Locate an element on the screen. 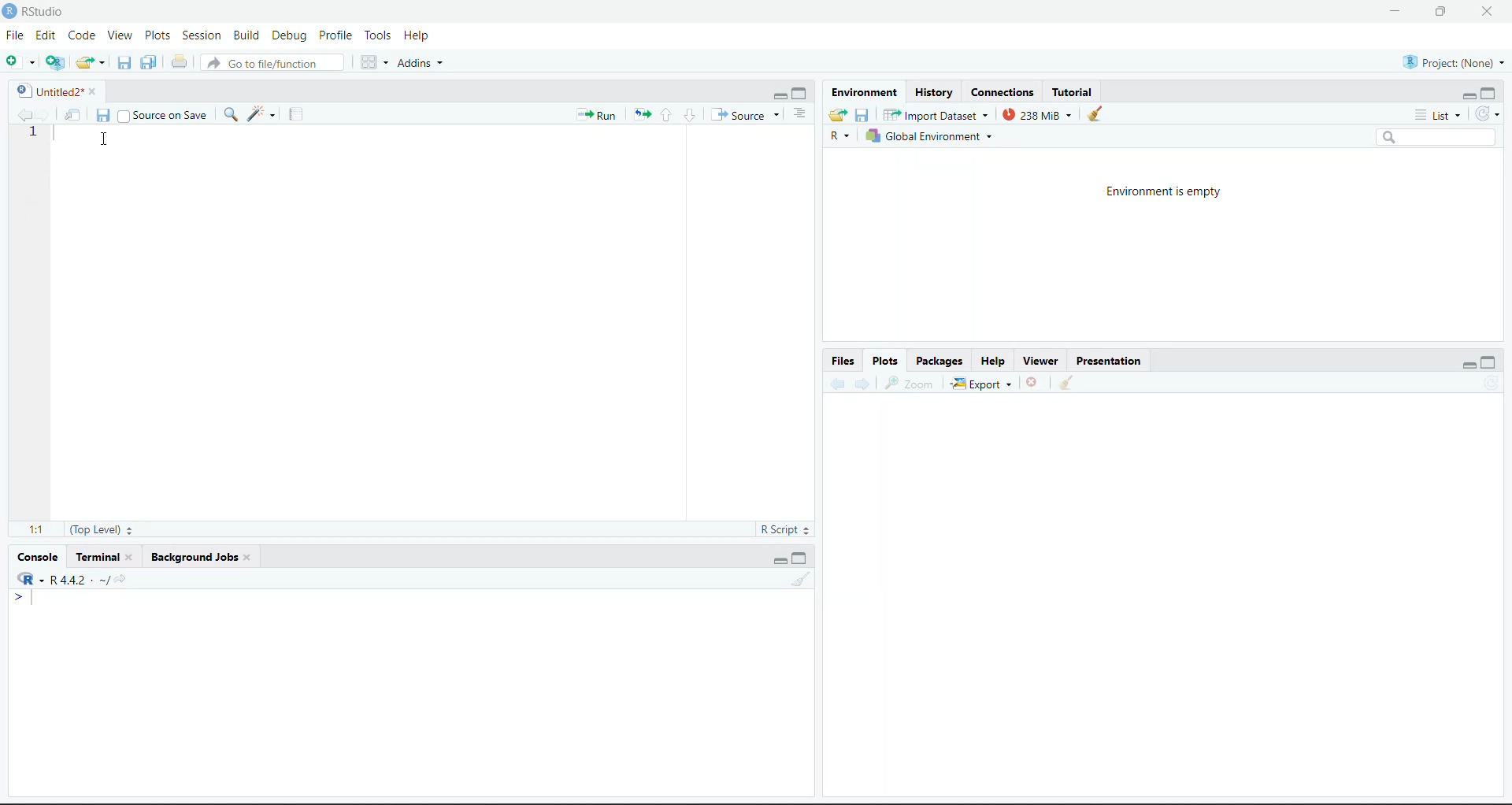  minimize is located at coordinates (1468, 98).